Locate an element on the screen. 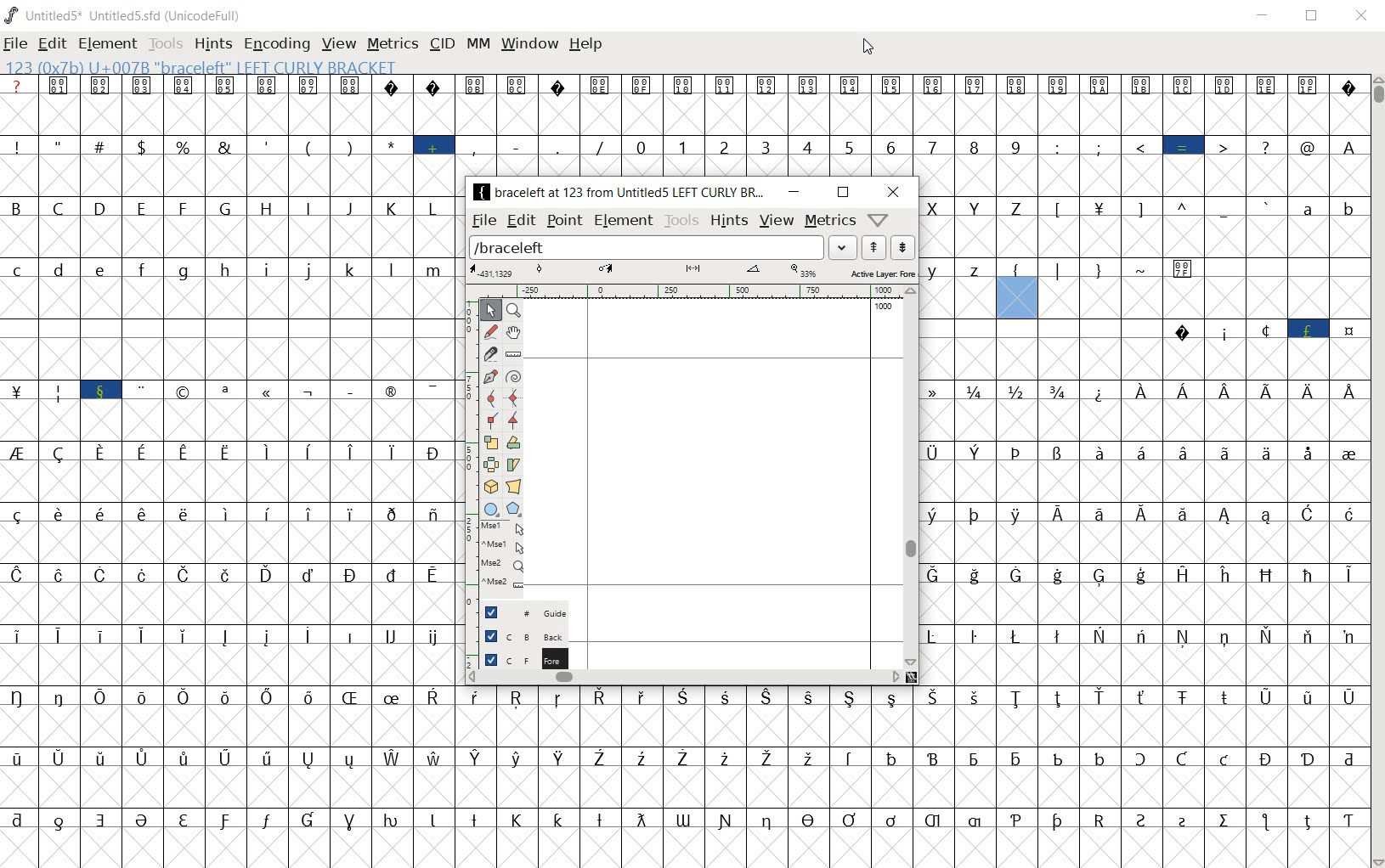 The width and height of the screenshot is (1385, 868). mm is located at coordinates (478, 45).